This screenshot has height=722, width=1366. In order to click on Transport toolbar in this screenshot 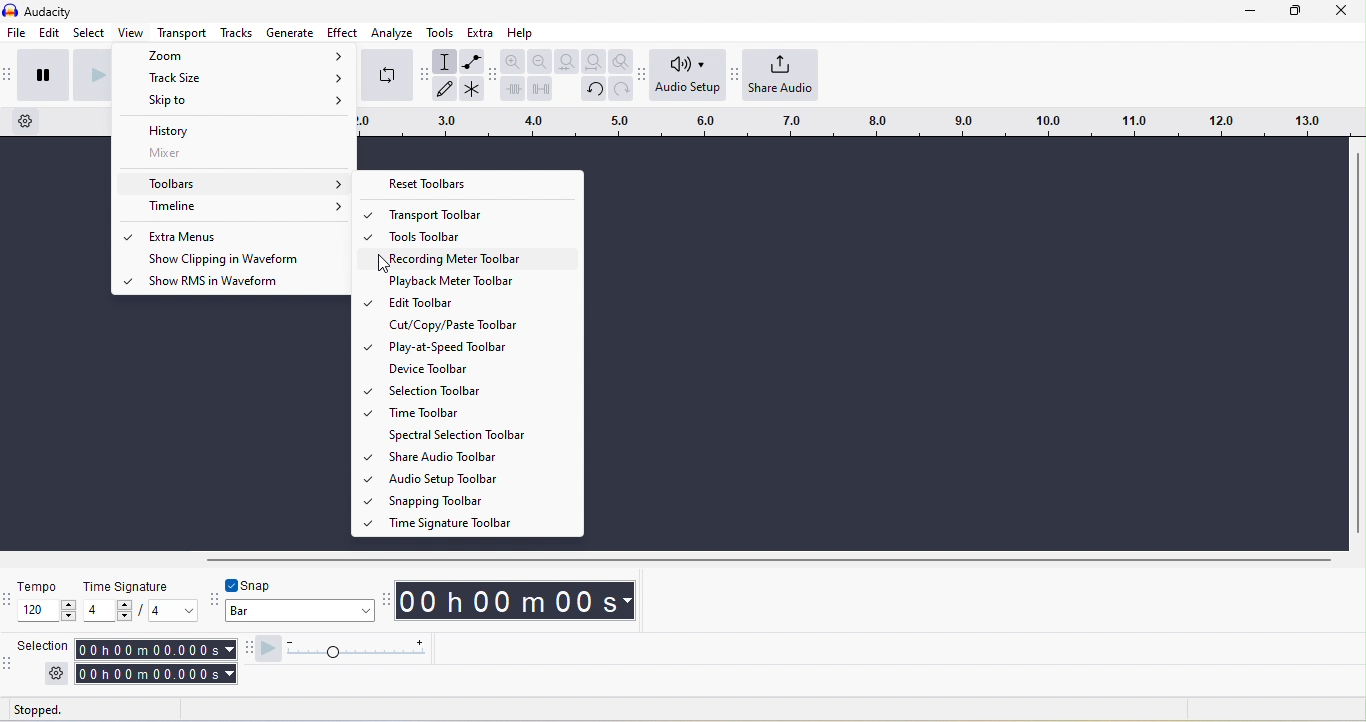, I will do `click(481, 214)`.